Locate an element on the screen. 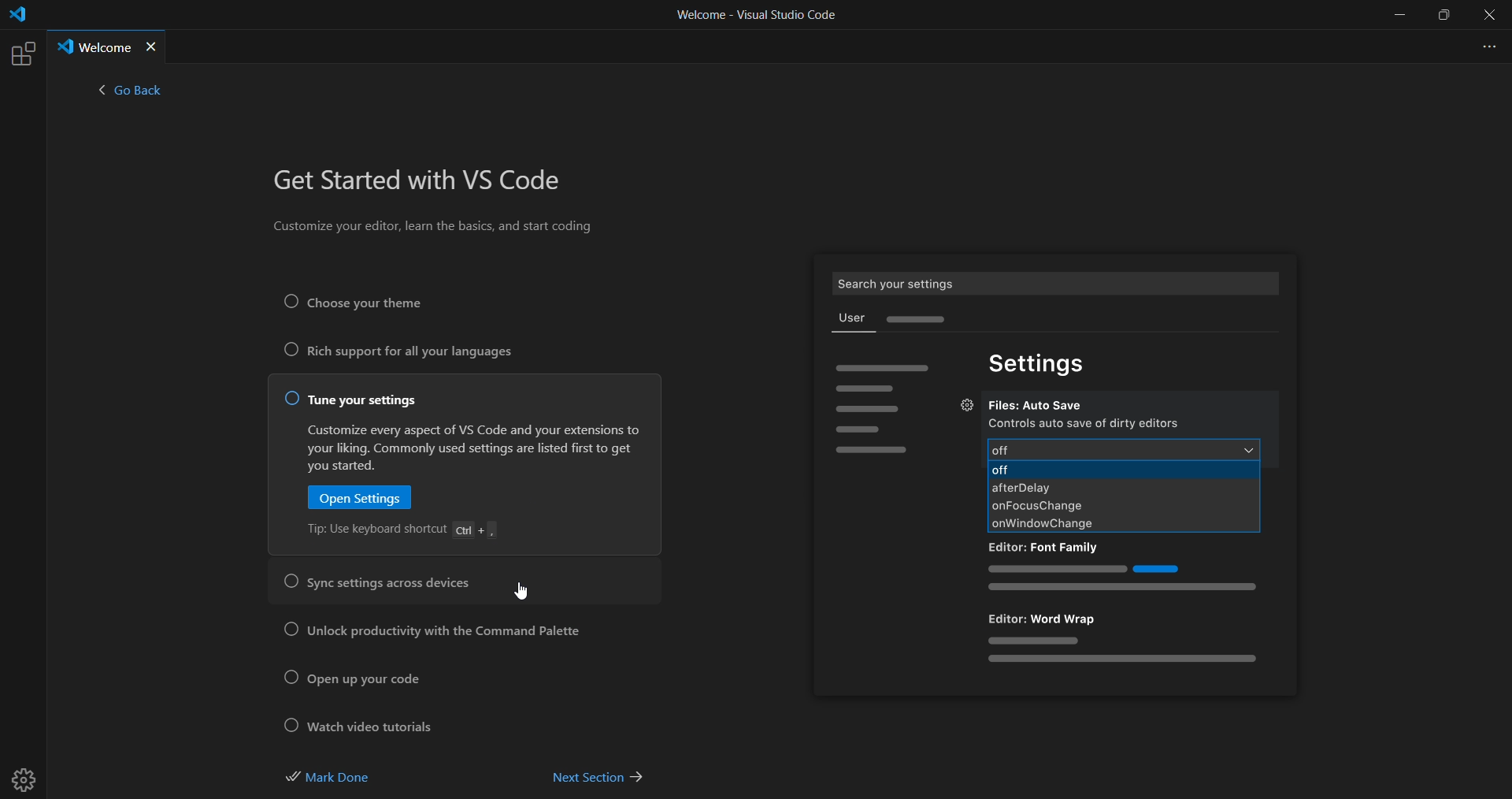 Image resolution: width=1512 pixels, height=799 pixels. close tab is located at coordinates (153, 47).